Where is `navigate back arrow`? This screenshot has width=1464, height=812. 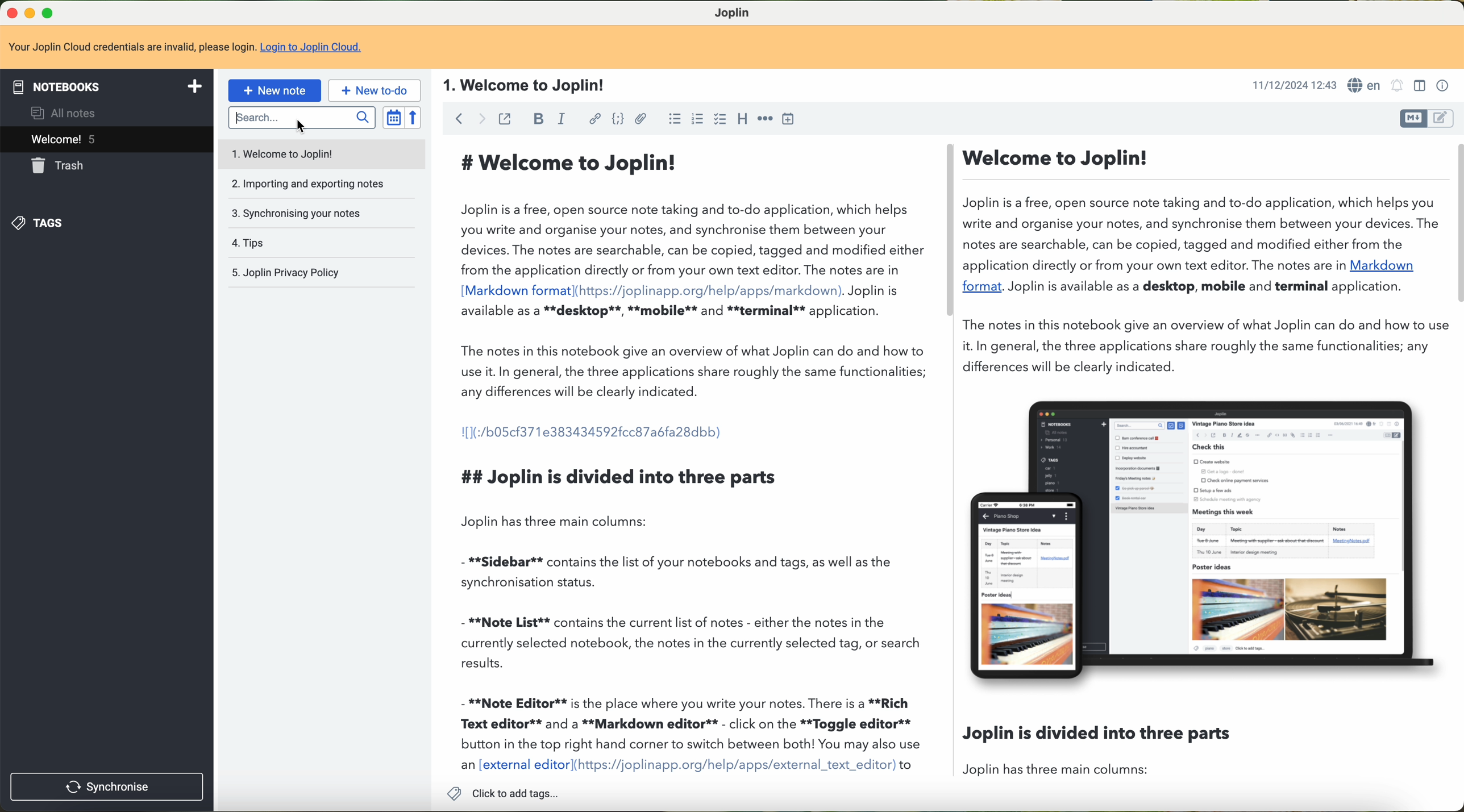 navigate back arrow is located at coordinates (456, 119).